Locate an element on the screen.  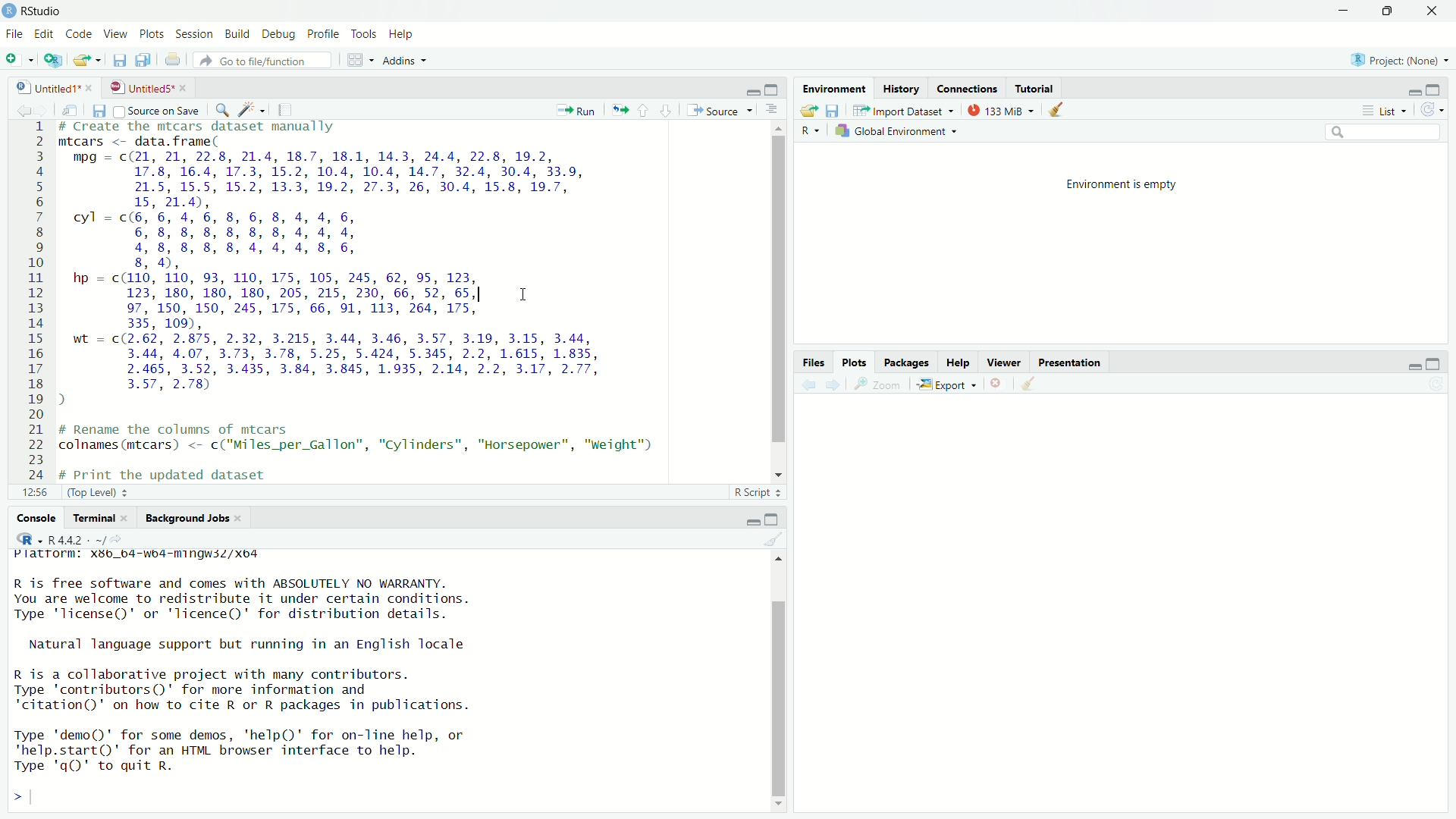
Edit is located at coordinates (43, 34).